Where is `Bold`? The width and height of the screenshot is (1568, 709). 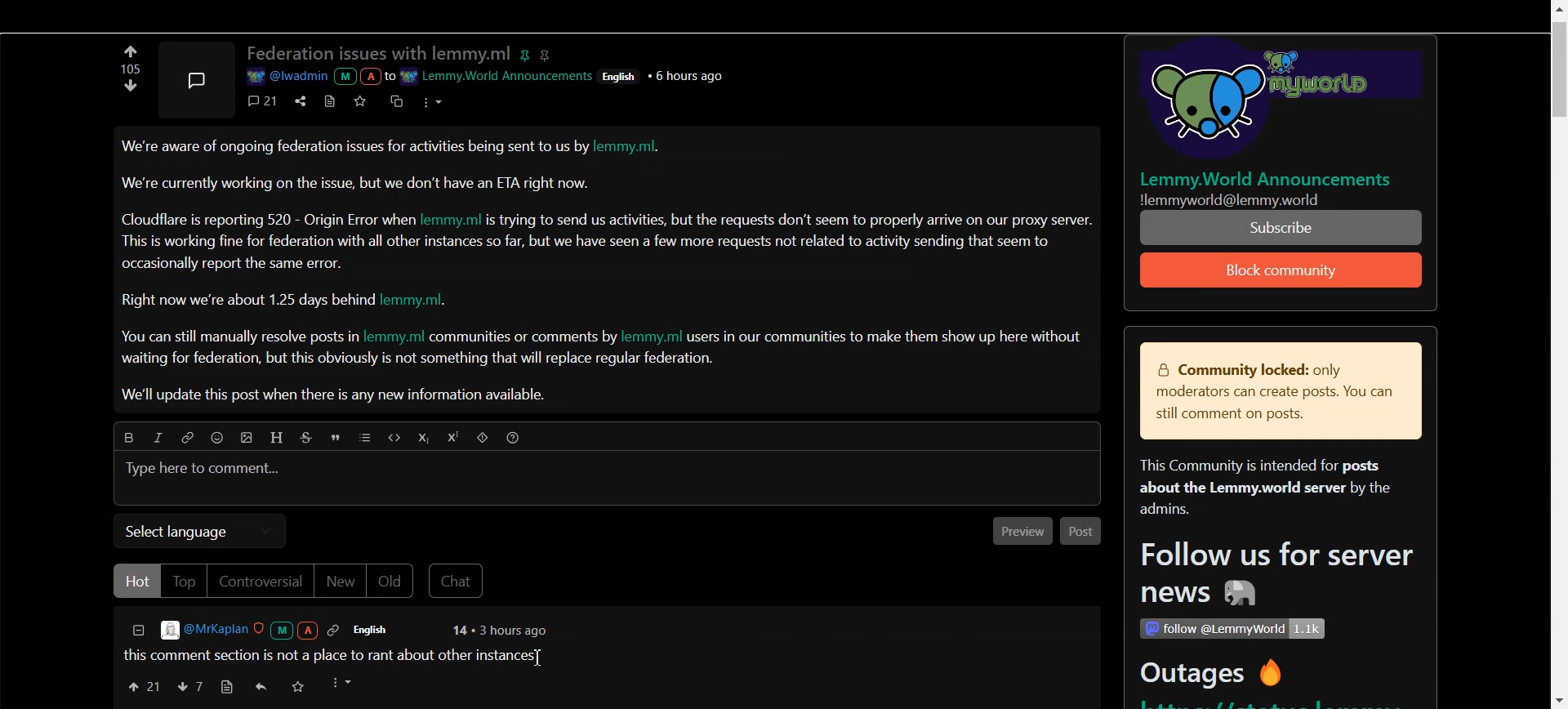 Bold is located at coordinates (124, 435).